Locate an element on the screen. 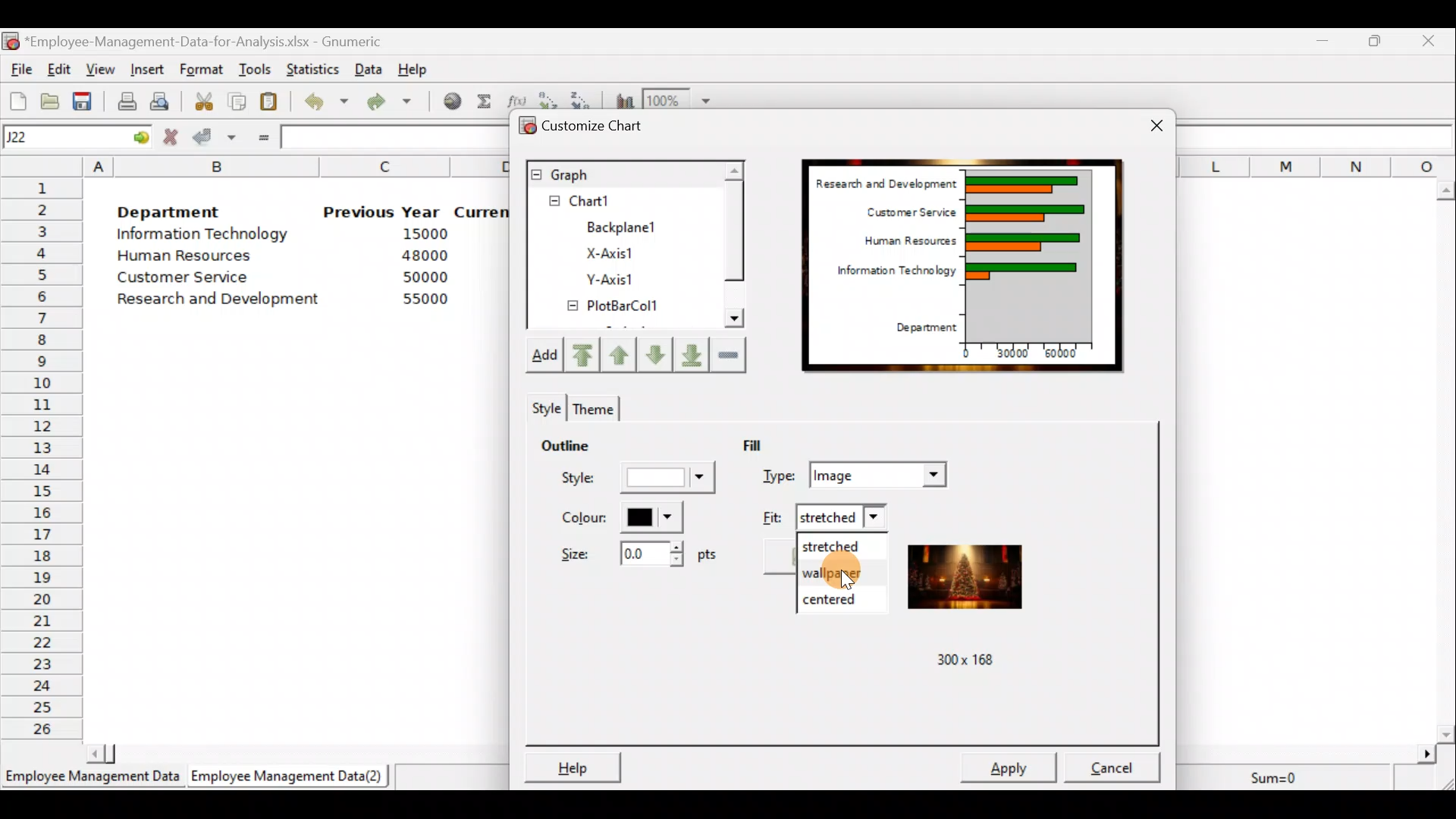 This screenshot has height=819, width=1456. Gnumeric logo is located at coordinates (12, 41).